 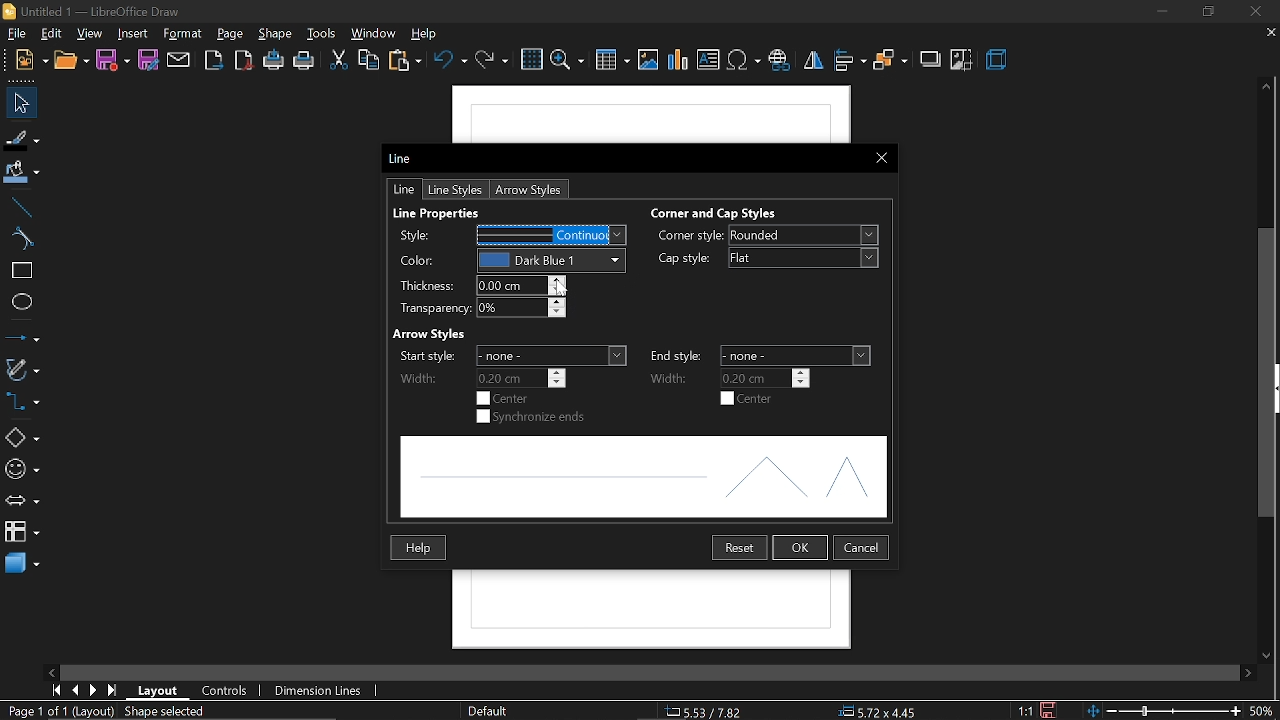 I want to click on scaling factor, so click(x=1026, y=710).